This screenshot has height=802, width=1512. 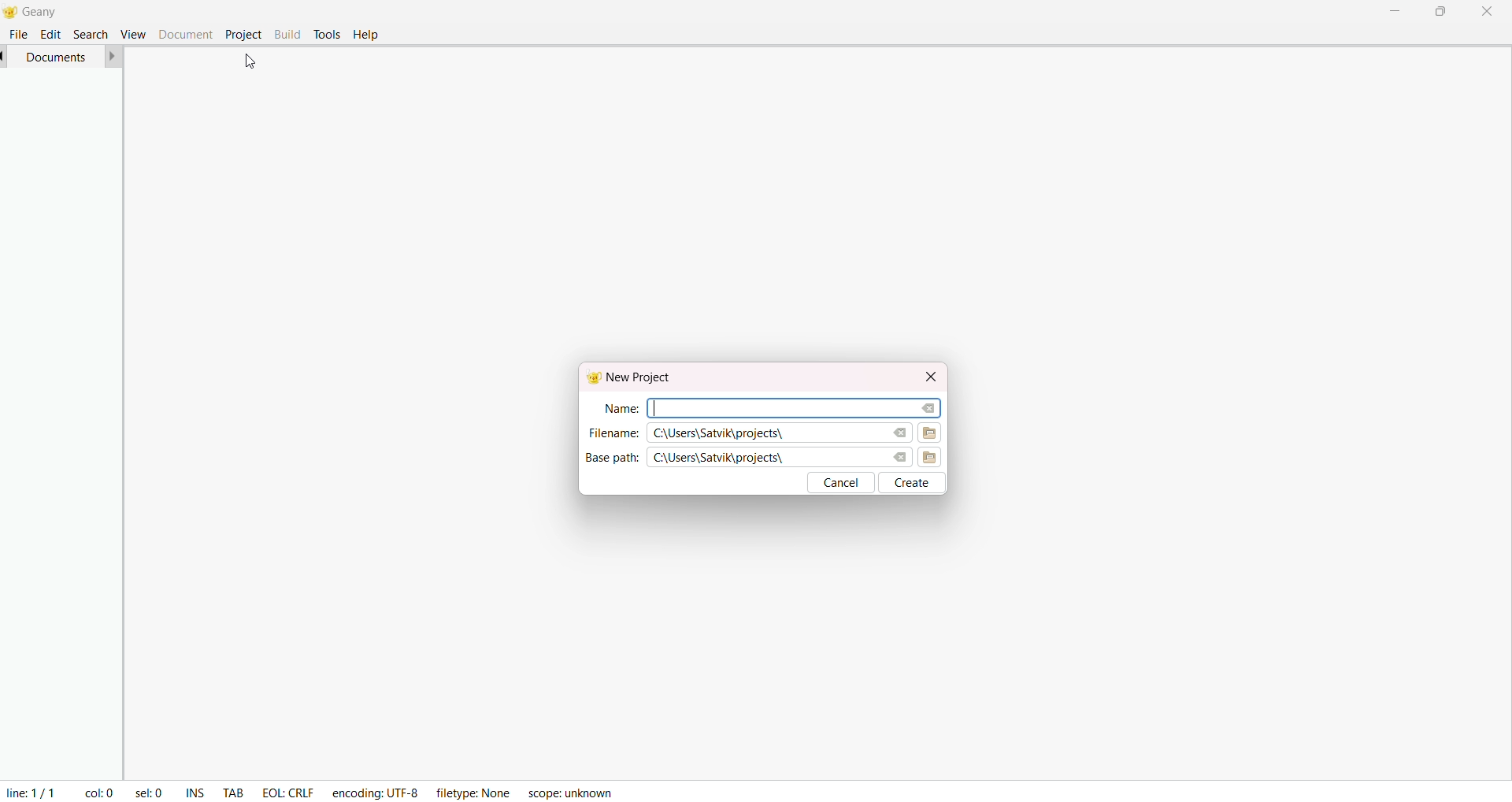 What do you see at coordinates (234, 794) in the screenshot?
I see `tab` at bounding box center [234, 794].